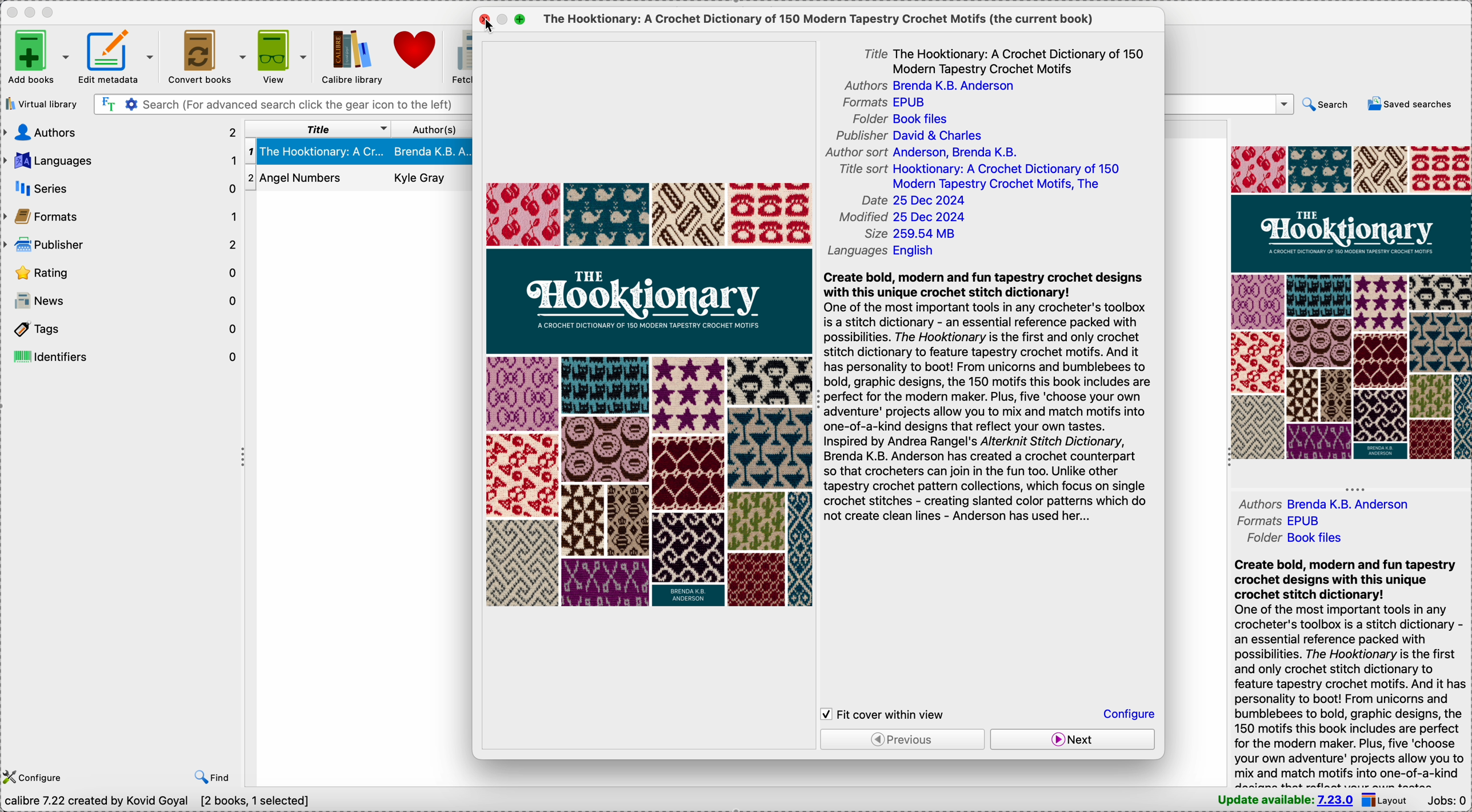 The width and height of the screenshot is (1472, 812). I want to click on edit metadata, so click(118, 56).